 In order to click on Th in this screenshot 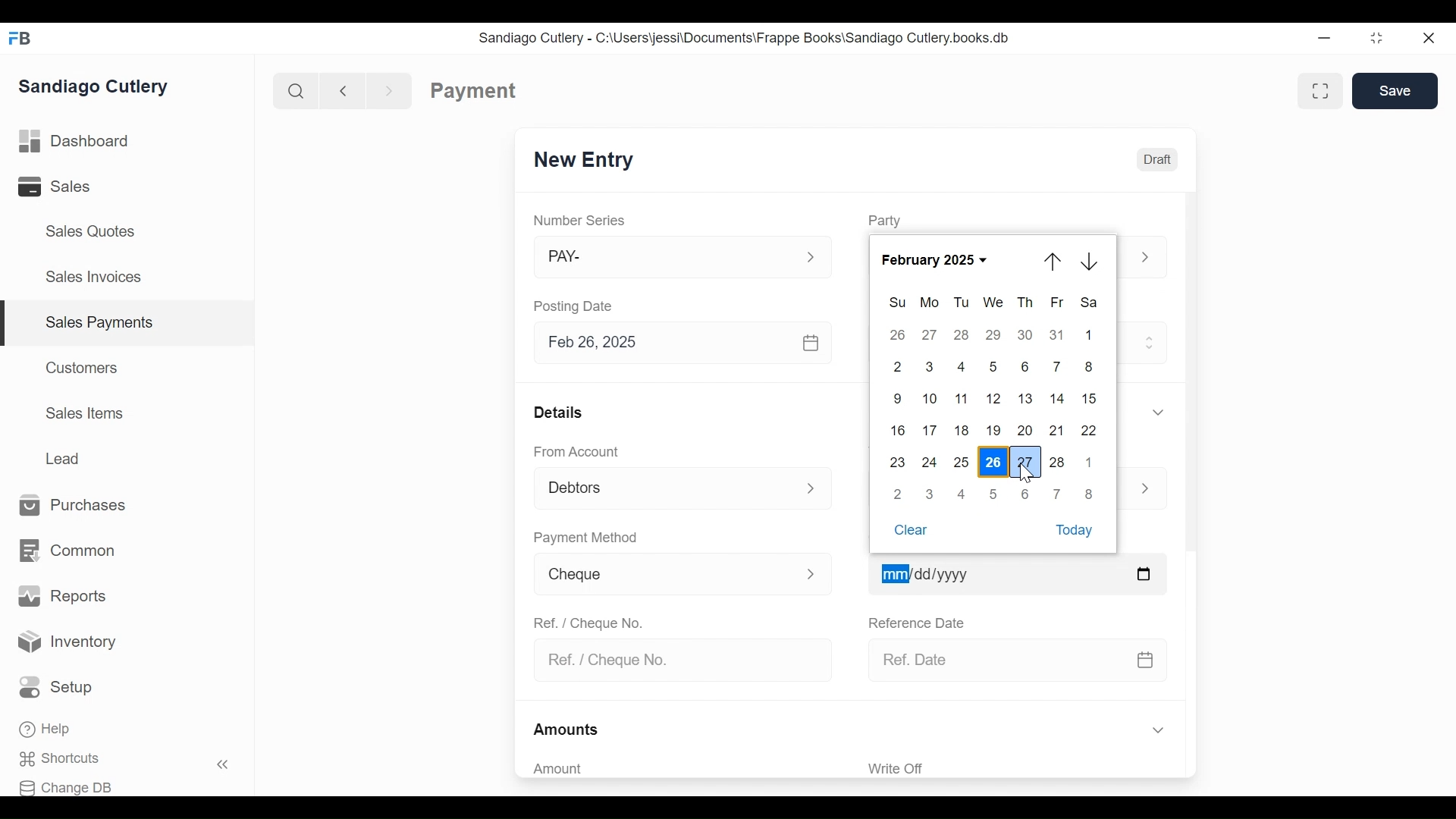, I will do `click(1026, 303)`.